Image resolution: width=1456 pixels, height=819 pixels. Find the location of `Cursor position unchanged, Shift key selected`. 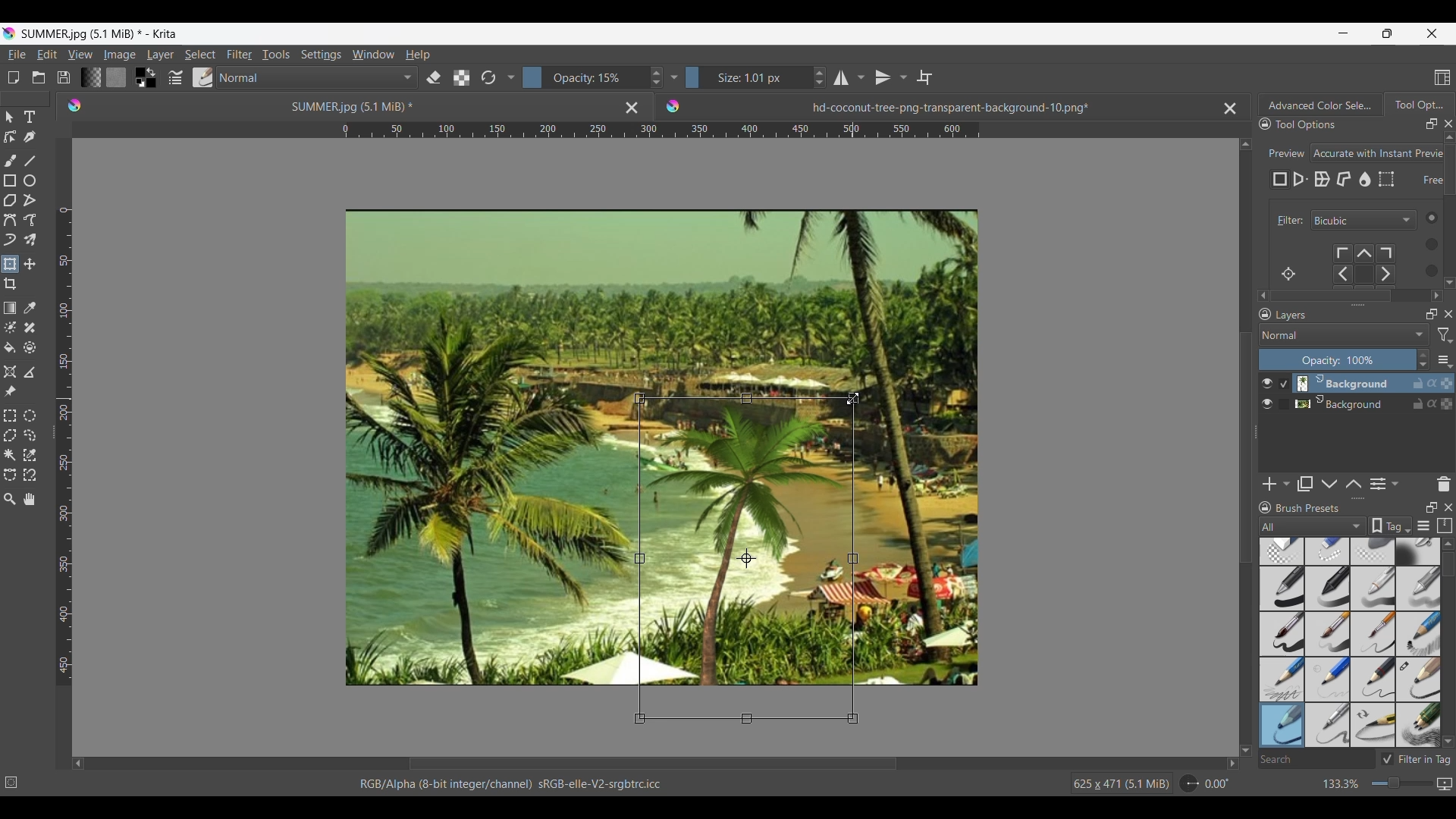

Cursor position unchanged, Shift key selected is located at coordinates (853, 398).